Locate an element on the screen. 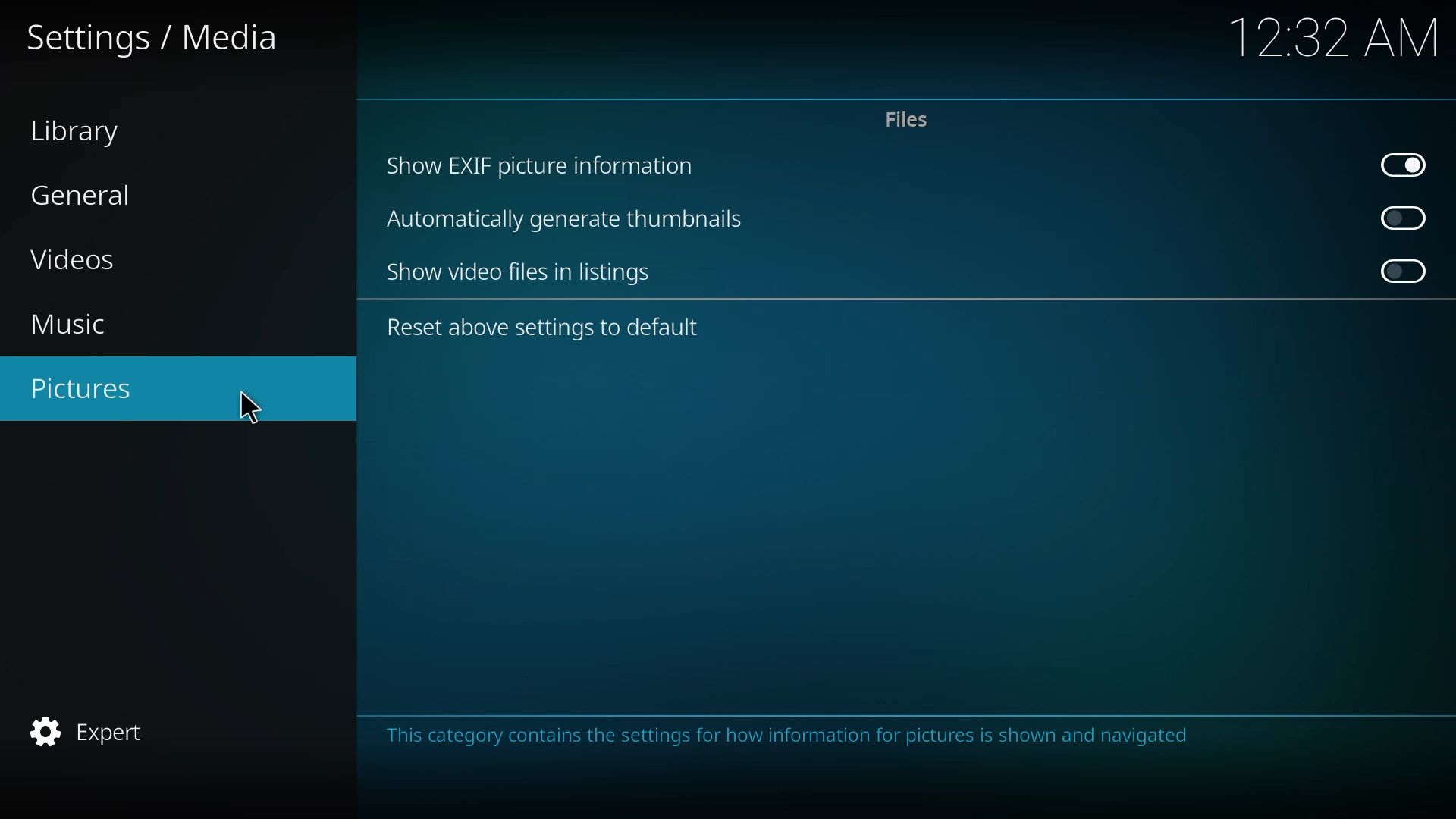 Image resolution: width=1456 pixels, height=819 pixels. reset above settings to default is located at coordinates (542, 330).